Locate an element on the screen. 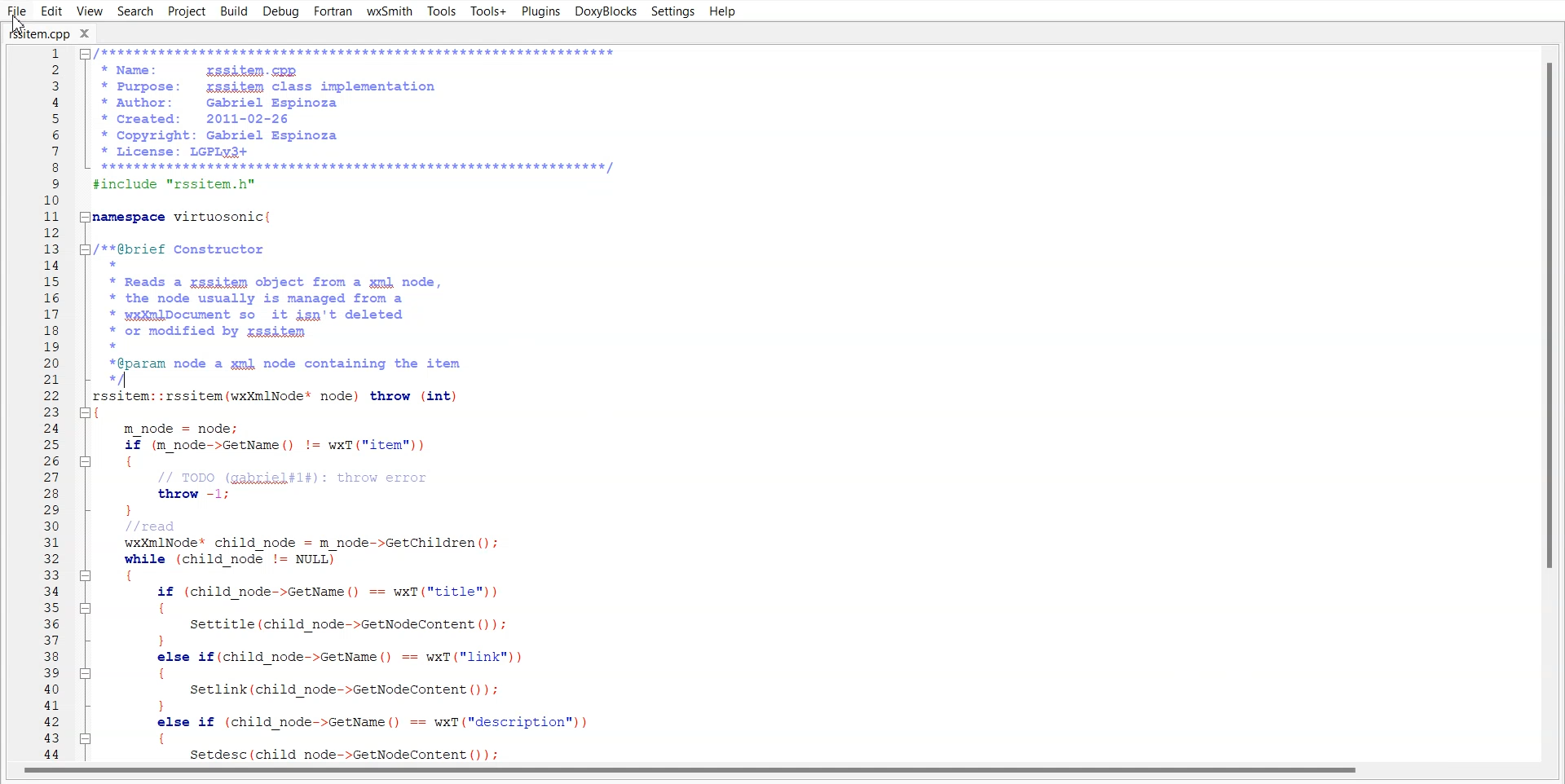 Image resolution: width=1565 pixels, height=784 pixels. Tools is located at coordinates (441, 12).